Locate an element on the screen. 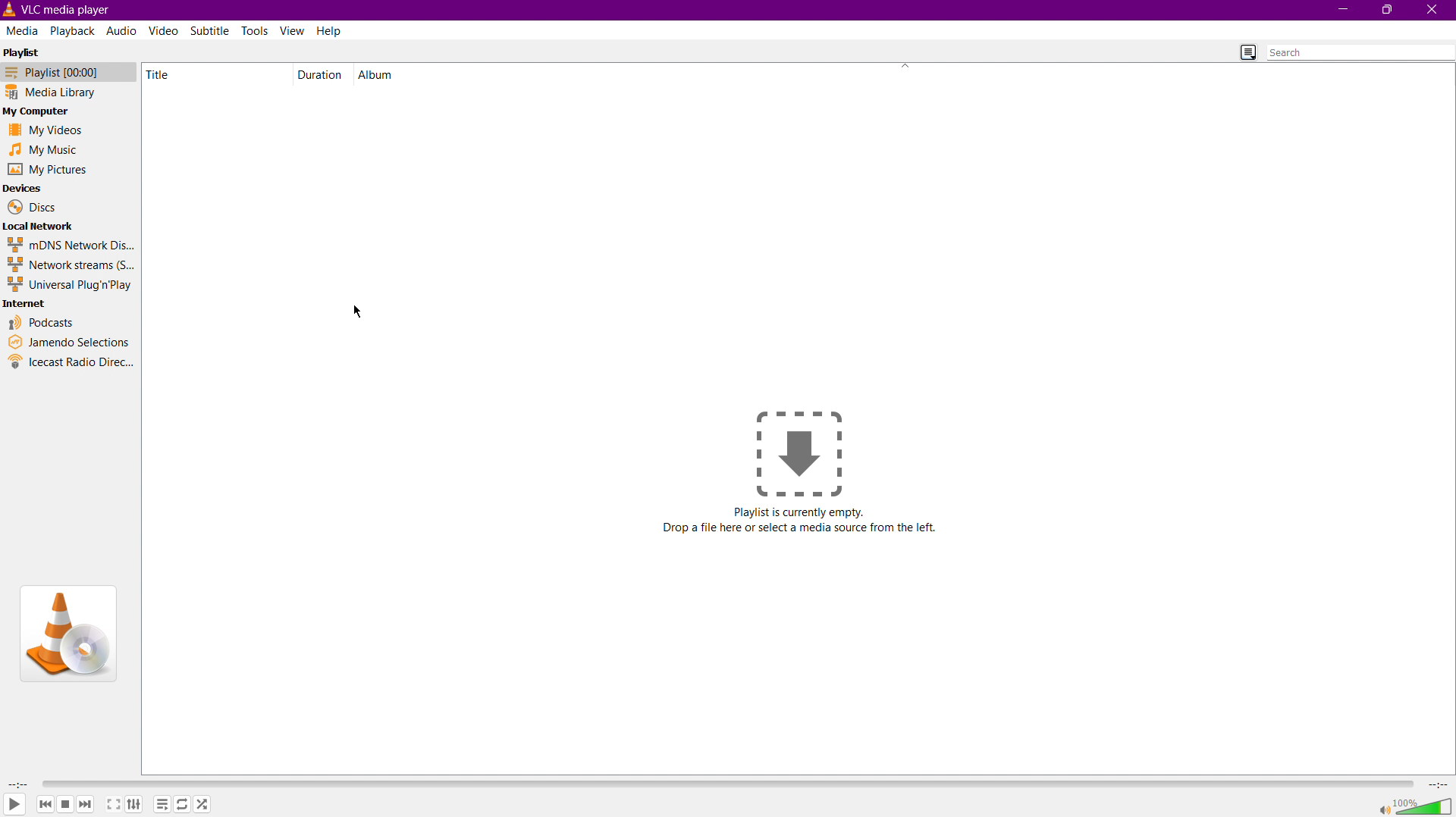  Video is located at coordinates (166, 32).